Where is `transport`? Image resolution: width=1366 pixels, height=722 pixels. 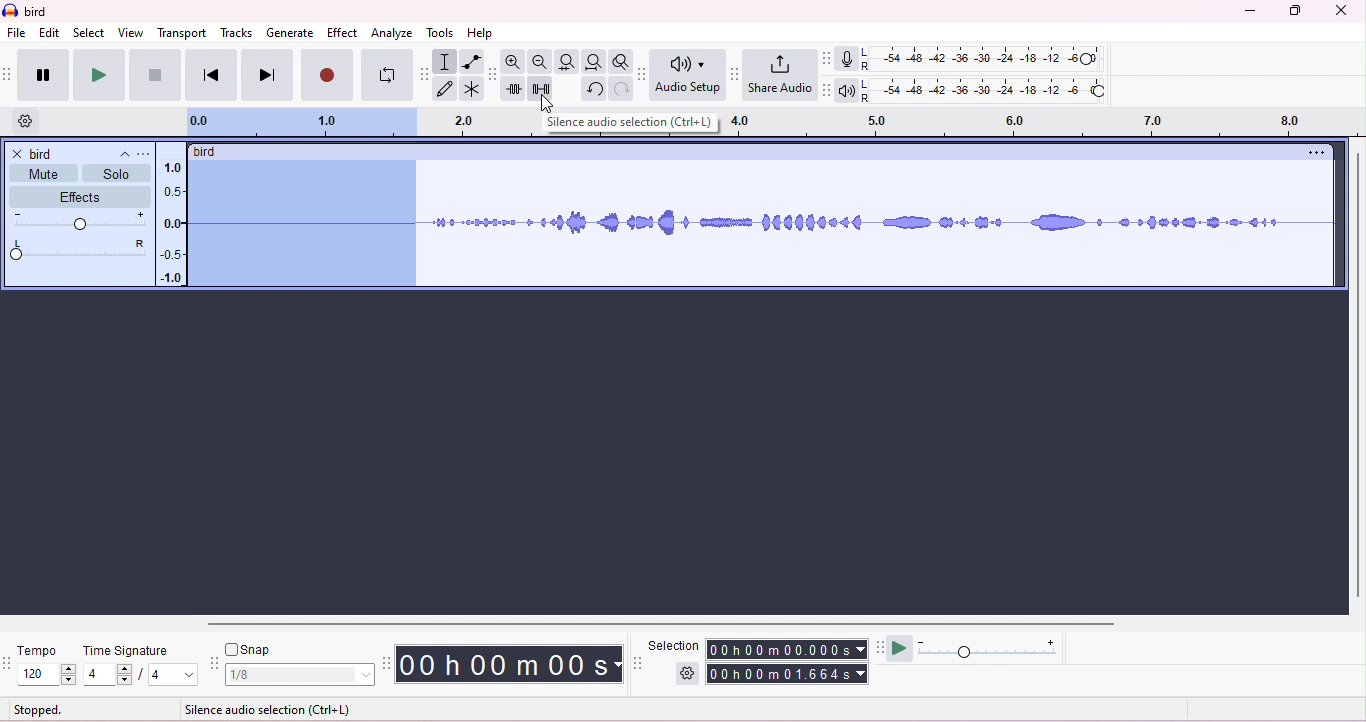 transport is located at coordinates (183, 34).